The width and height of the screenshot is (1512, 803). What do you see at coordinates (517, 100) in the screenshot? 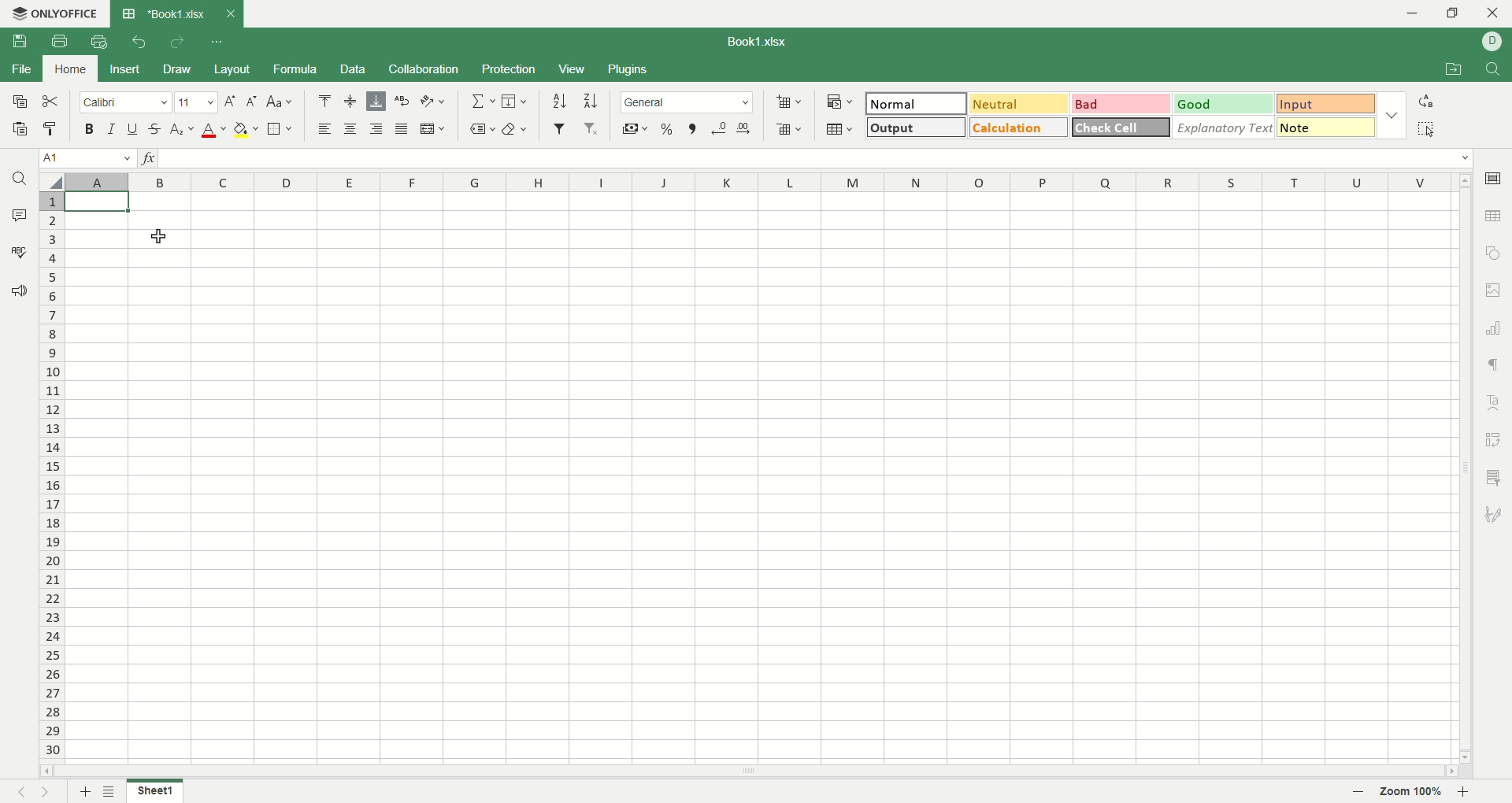
I see `fill` at bounding box center [517, 100].